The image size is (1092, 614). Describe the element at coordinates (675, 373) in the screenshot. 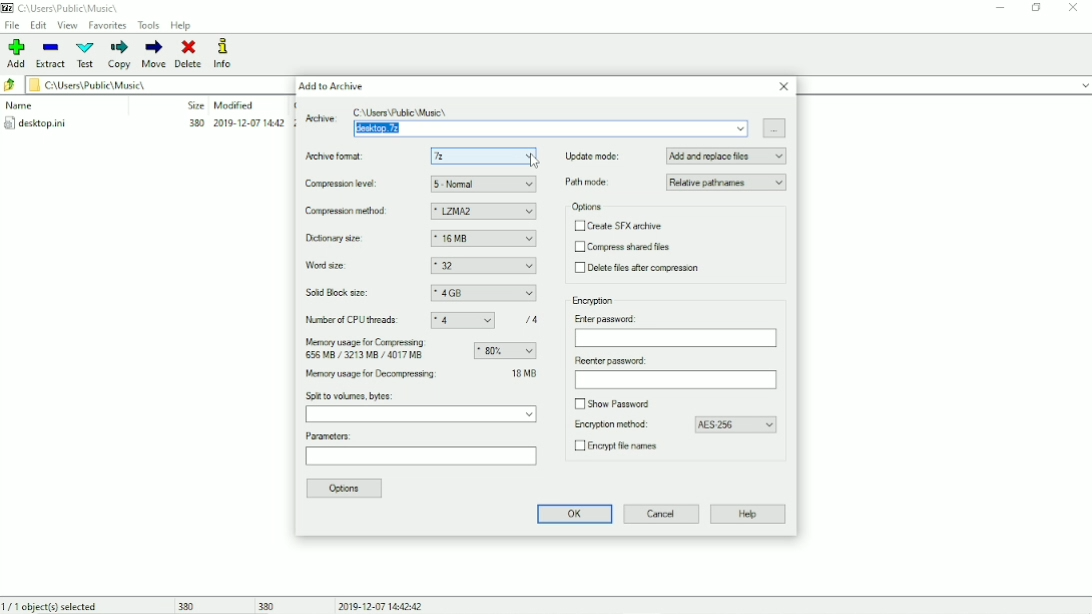

I see `Reenter password` at that location.